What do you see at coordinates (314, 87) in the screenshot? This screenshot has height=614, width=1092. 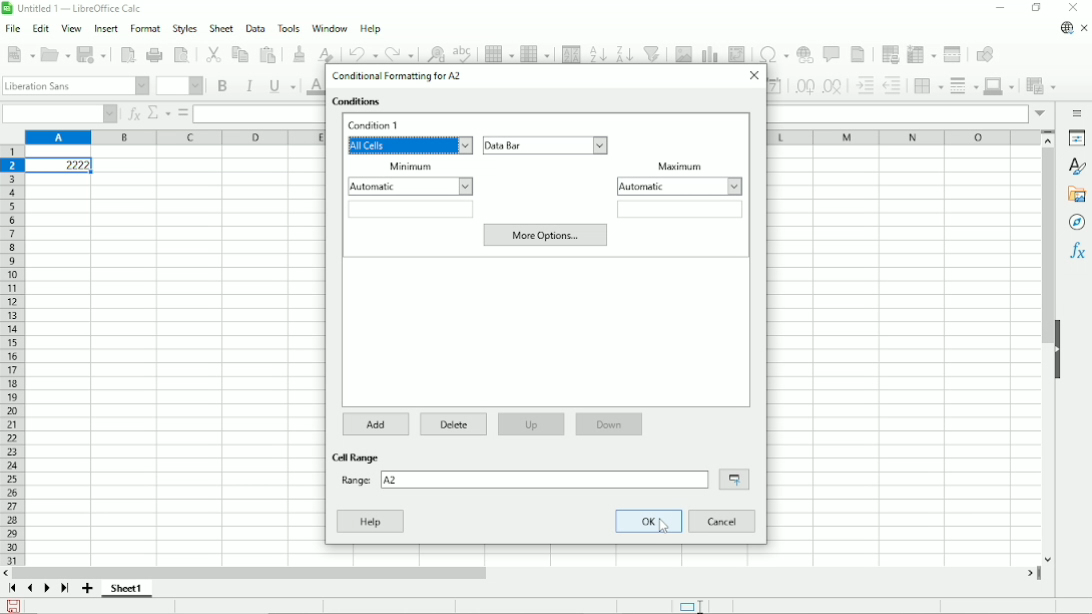 I see `Text color` at bounding box center [314, 87].